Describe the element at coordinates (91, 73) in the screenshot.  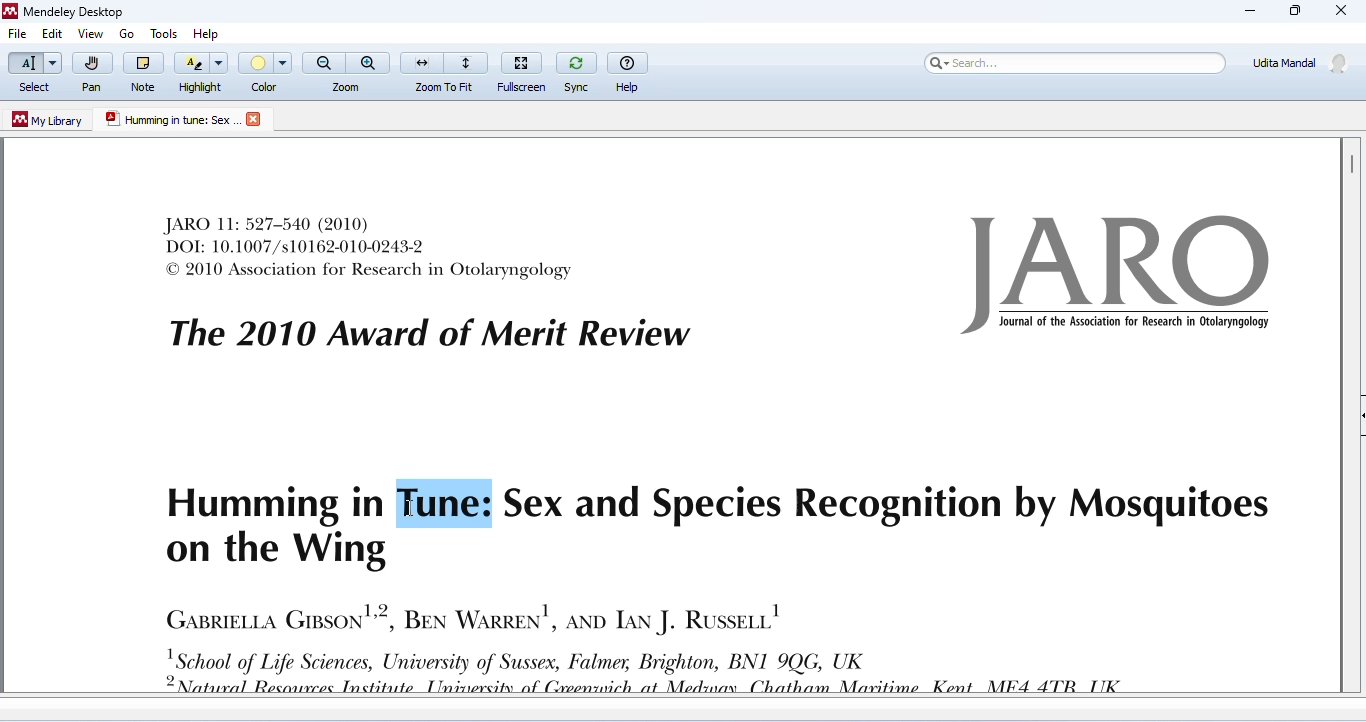
I see `pan` at that location.